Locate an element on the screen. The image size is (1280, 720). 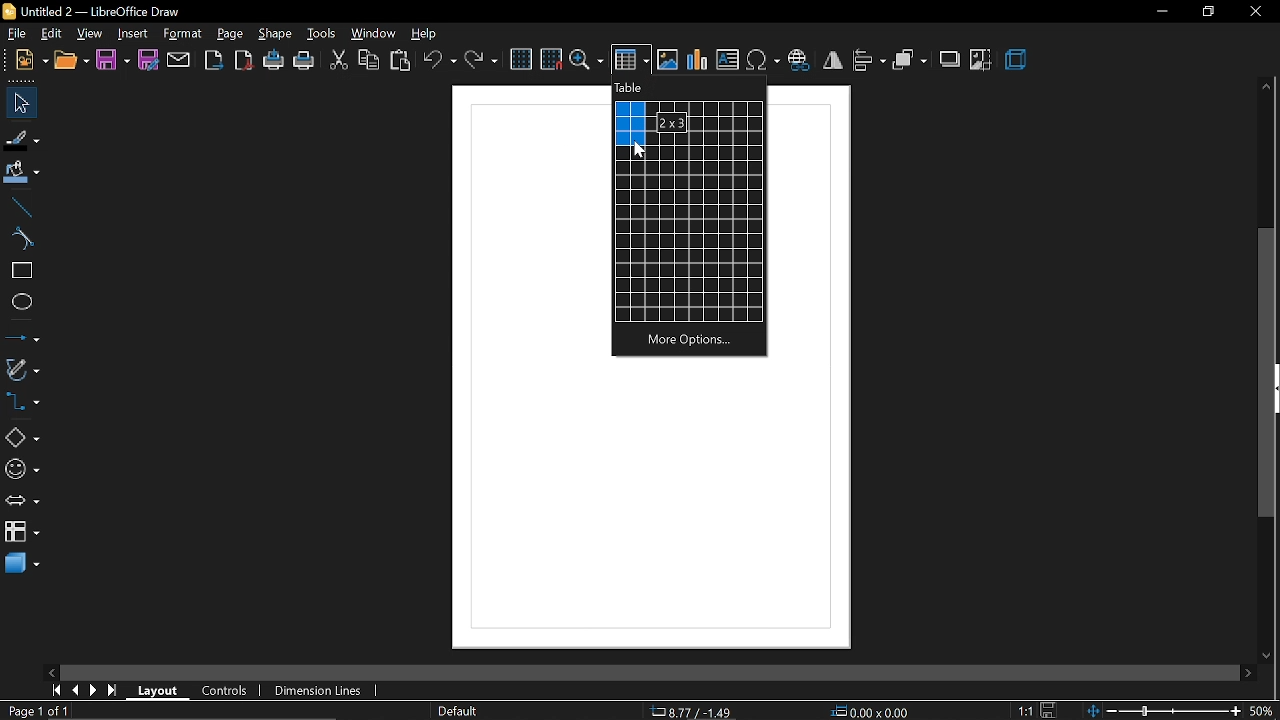
next page is located at coordinates (97, 690).